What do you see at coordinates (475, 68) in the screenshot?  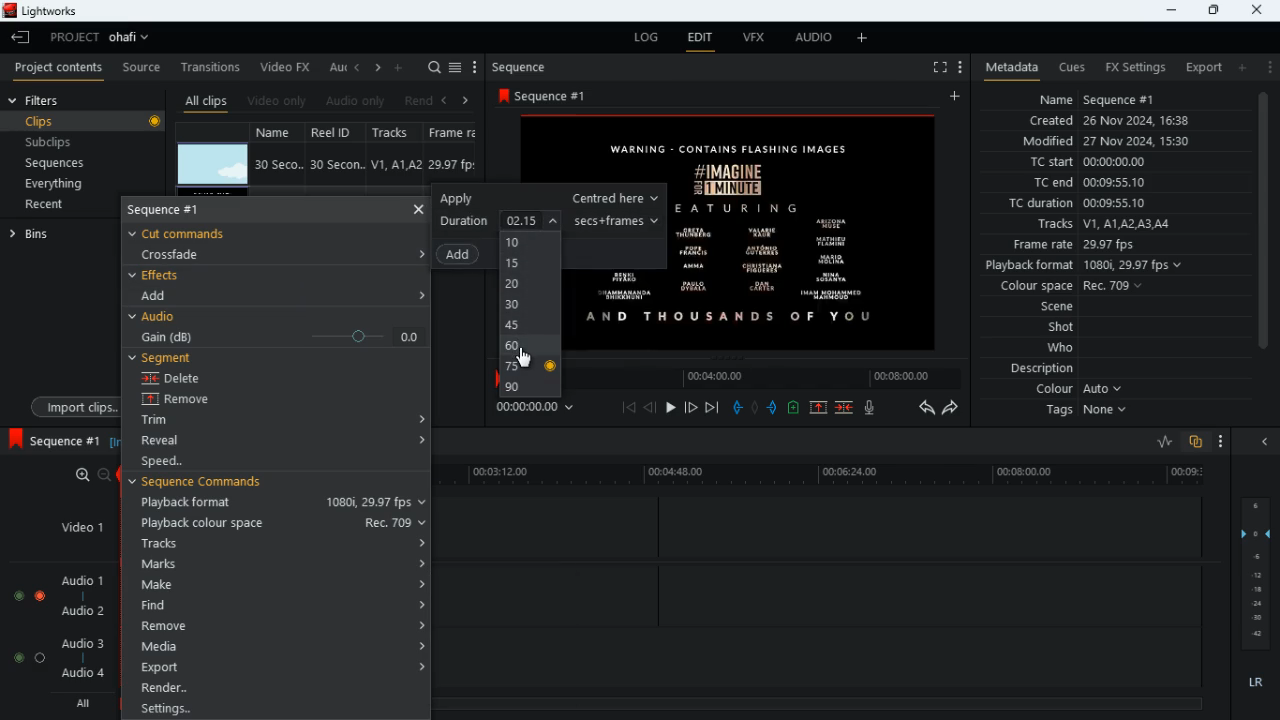 I see `menu` at bounding box center [475, 68].